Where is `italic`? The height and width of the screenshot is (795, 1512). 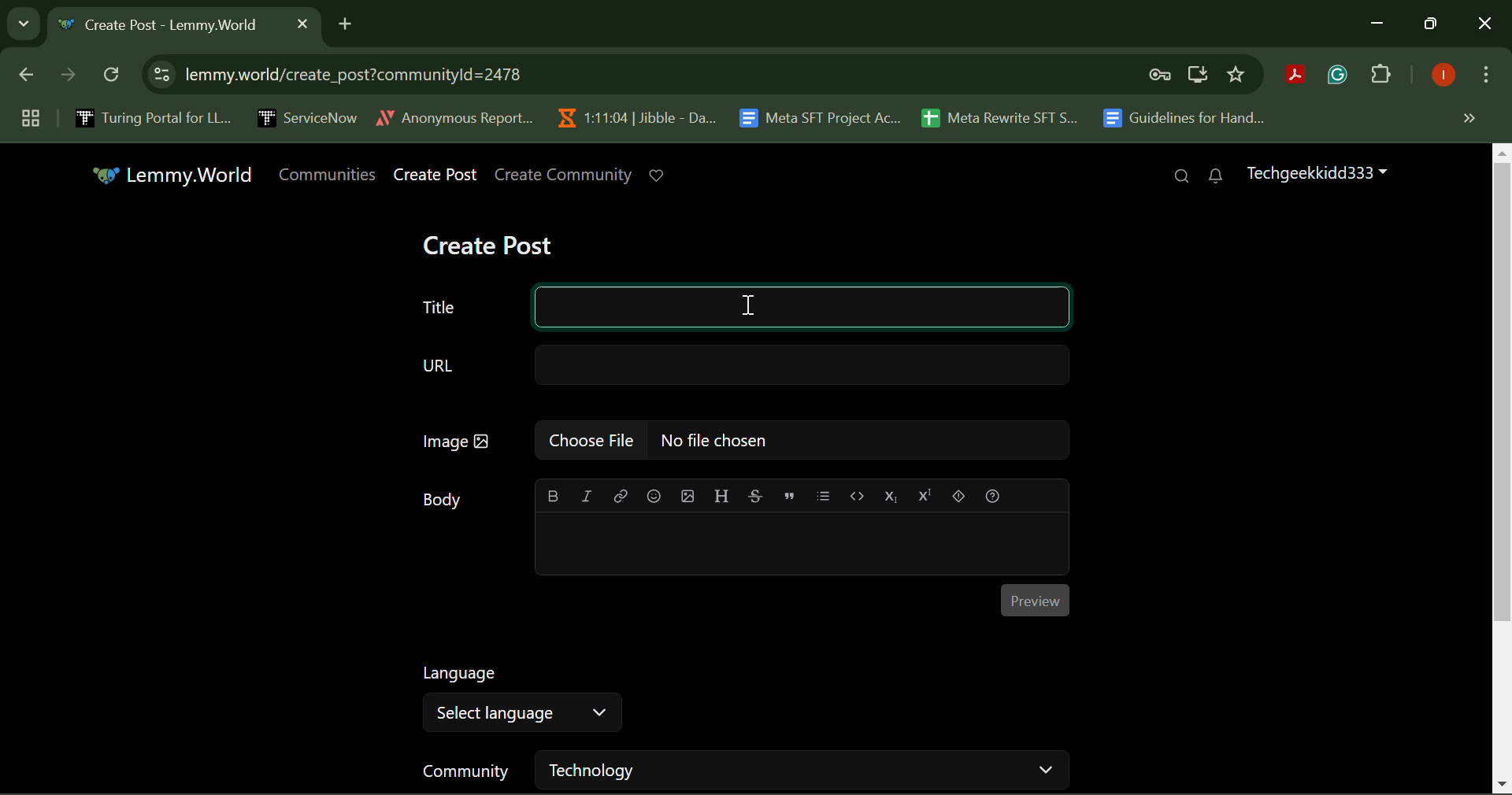 italic is located at coordinates (586, 494).